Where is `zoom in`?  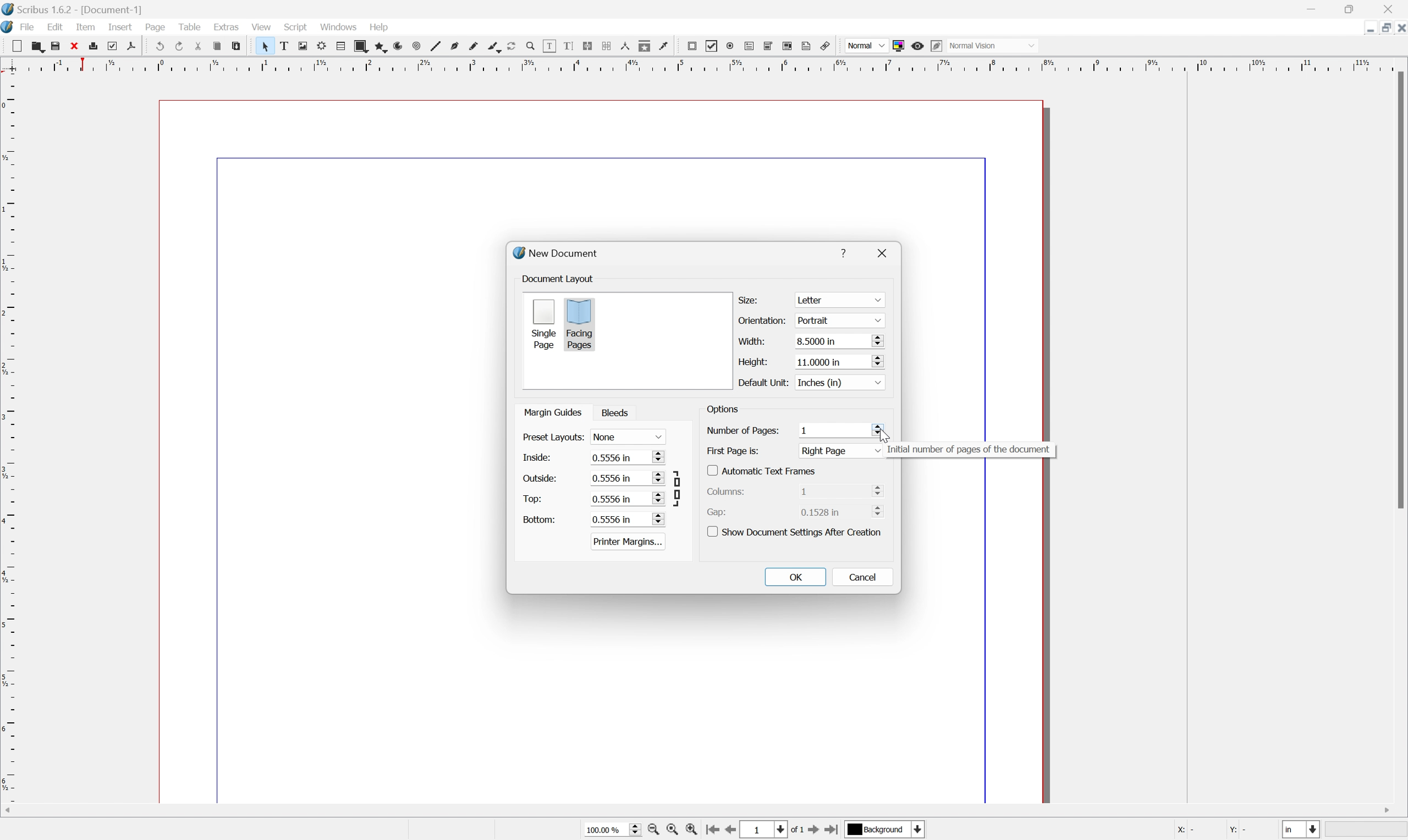 zoom in is located at coordinates (695, 830).